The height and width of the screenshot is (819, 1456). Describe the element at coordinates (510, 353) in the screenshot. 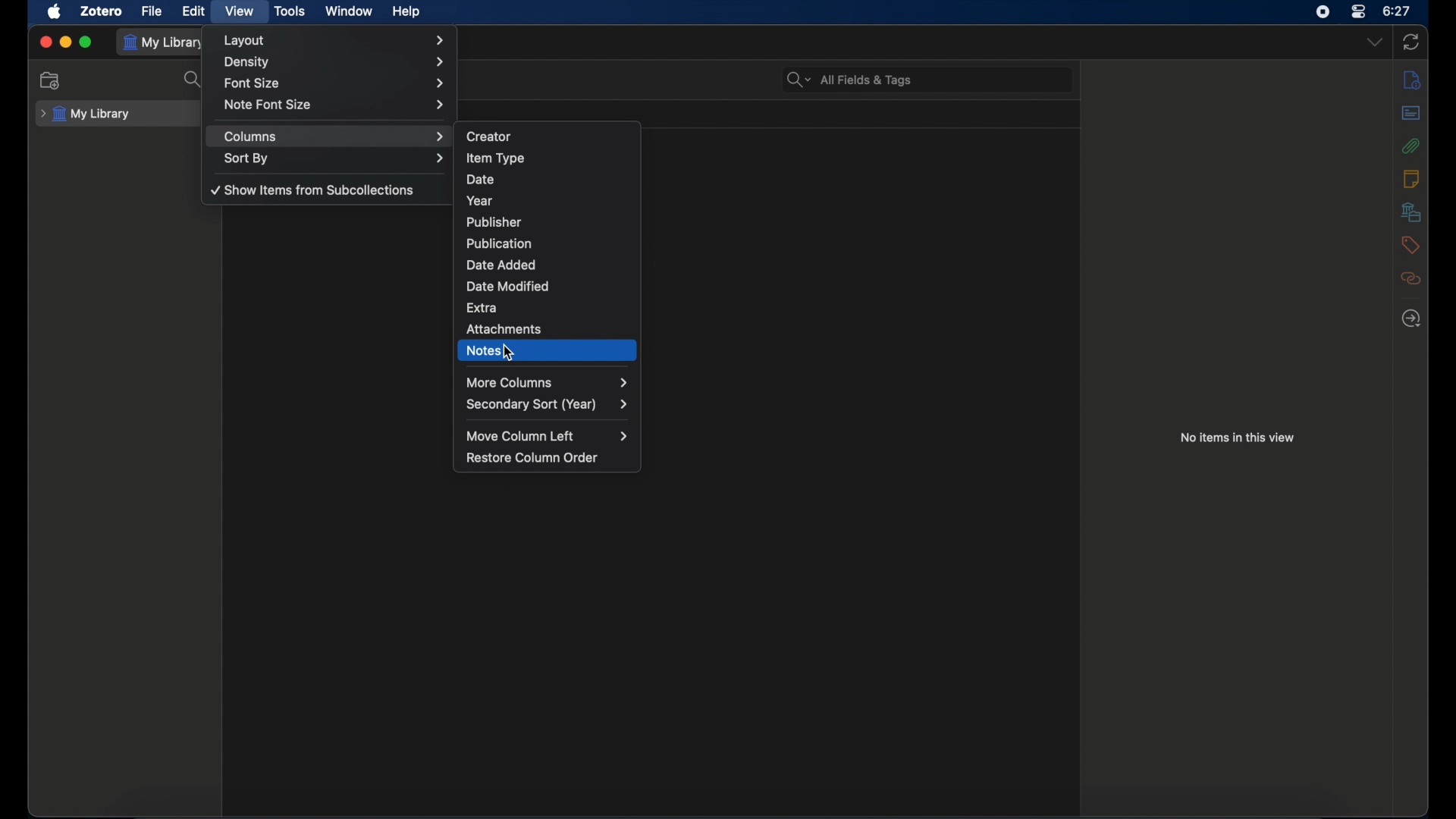

I see `cursor` at that location.